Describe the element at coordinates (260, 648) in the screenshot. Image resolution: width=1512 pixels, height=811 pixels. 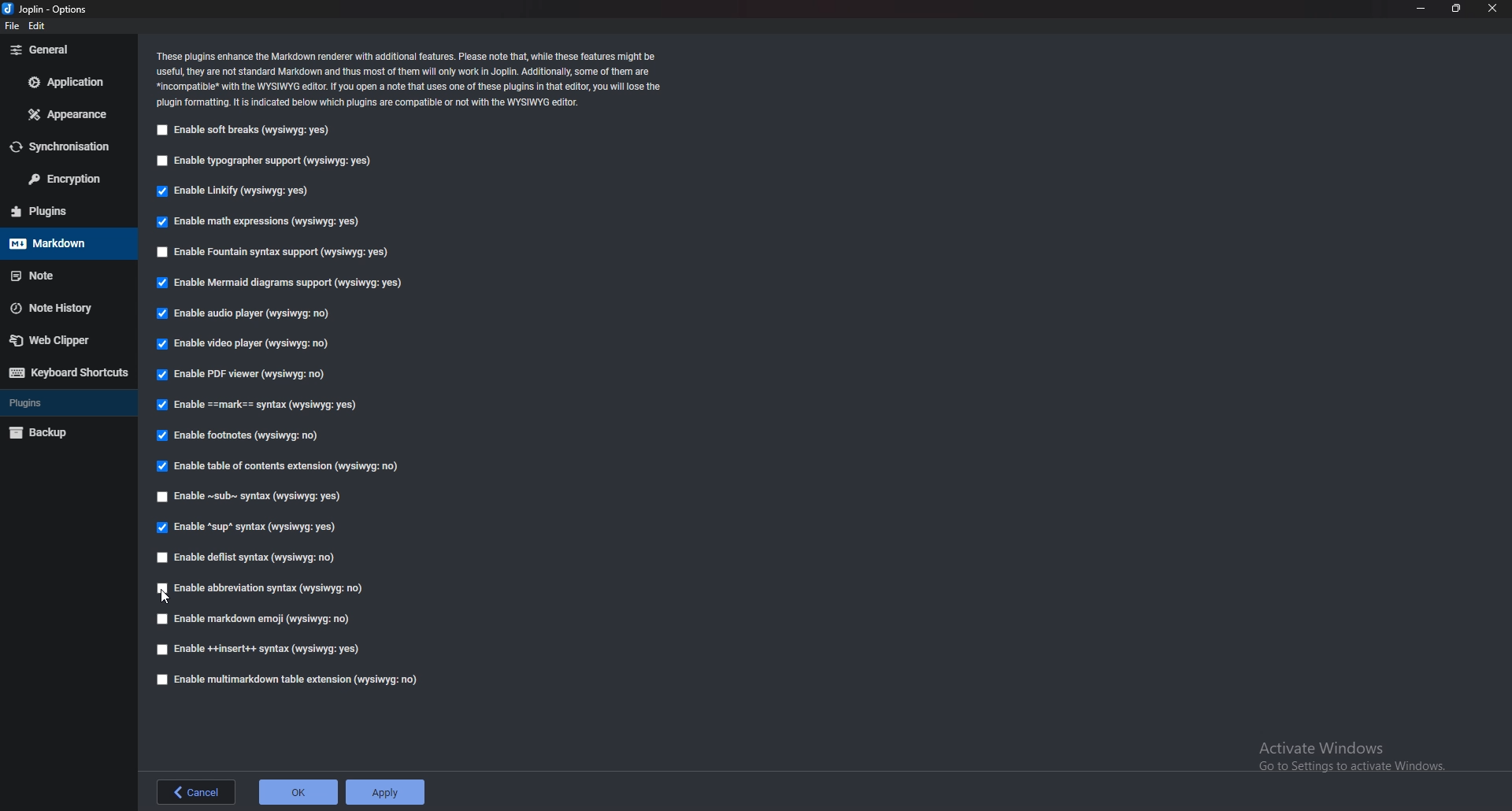
I see `Enable ++insert++ syntax (wysiwyg: yes)` at that location.